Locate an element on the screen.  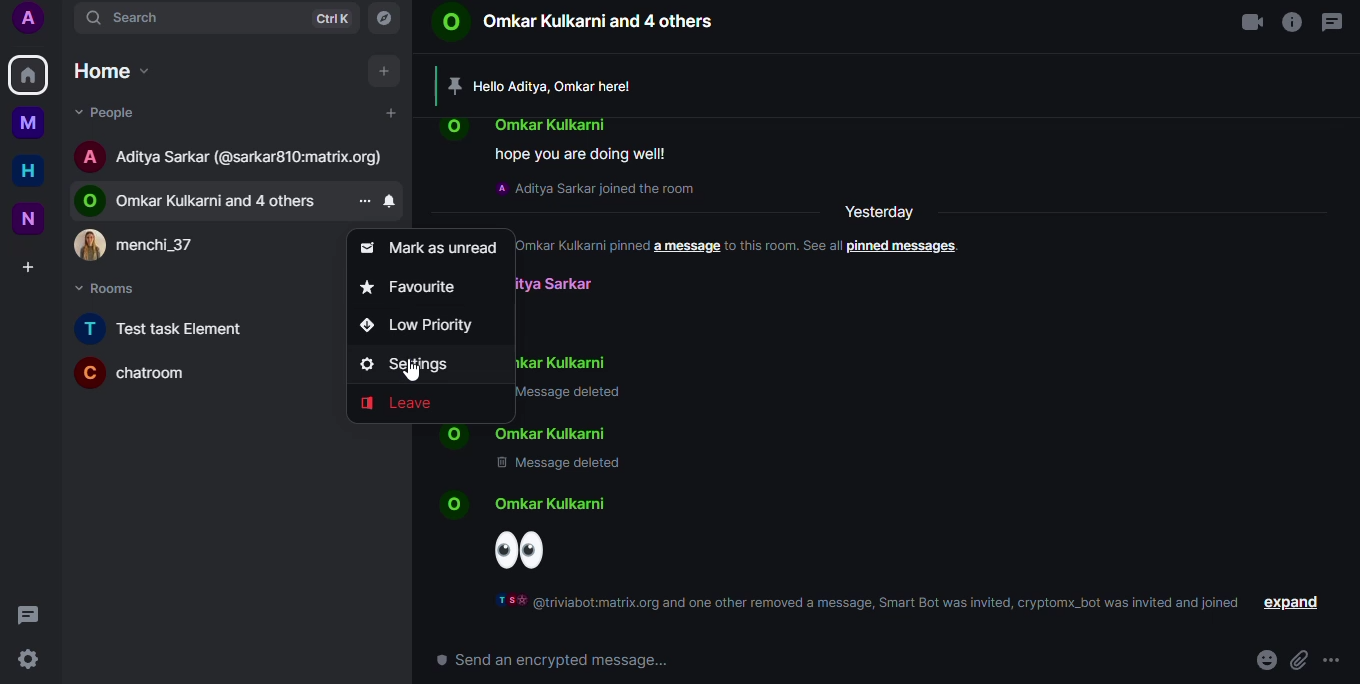
add is located at coordinates (394, 113).